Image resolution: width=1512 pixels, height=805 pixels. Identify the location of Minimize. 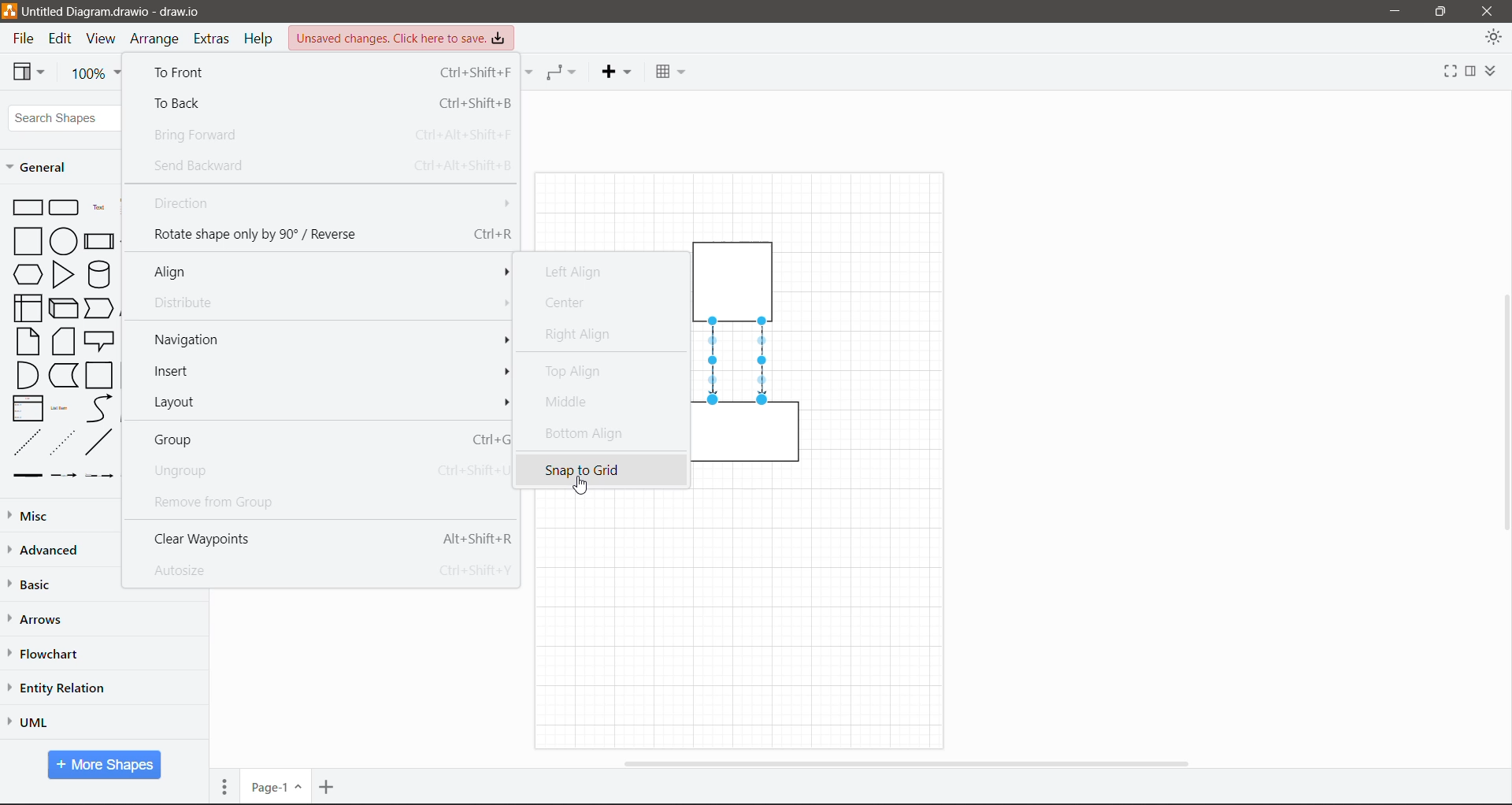
(1391, 12).